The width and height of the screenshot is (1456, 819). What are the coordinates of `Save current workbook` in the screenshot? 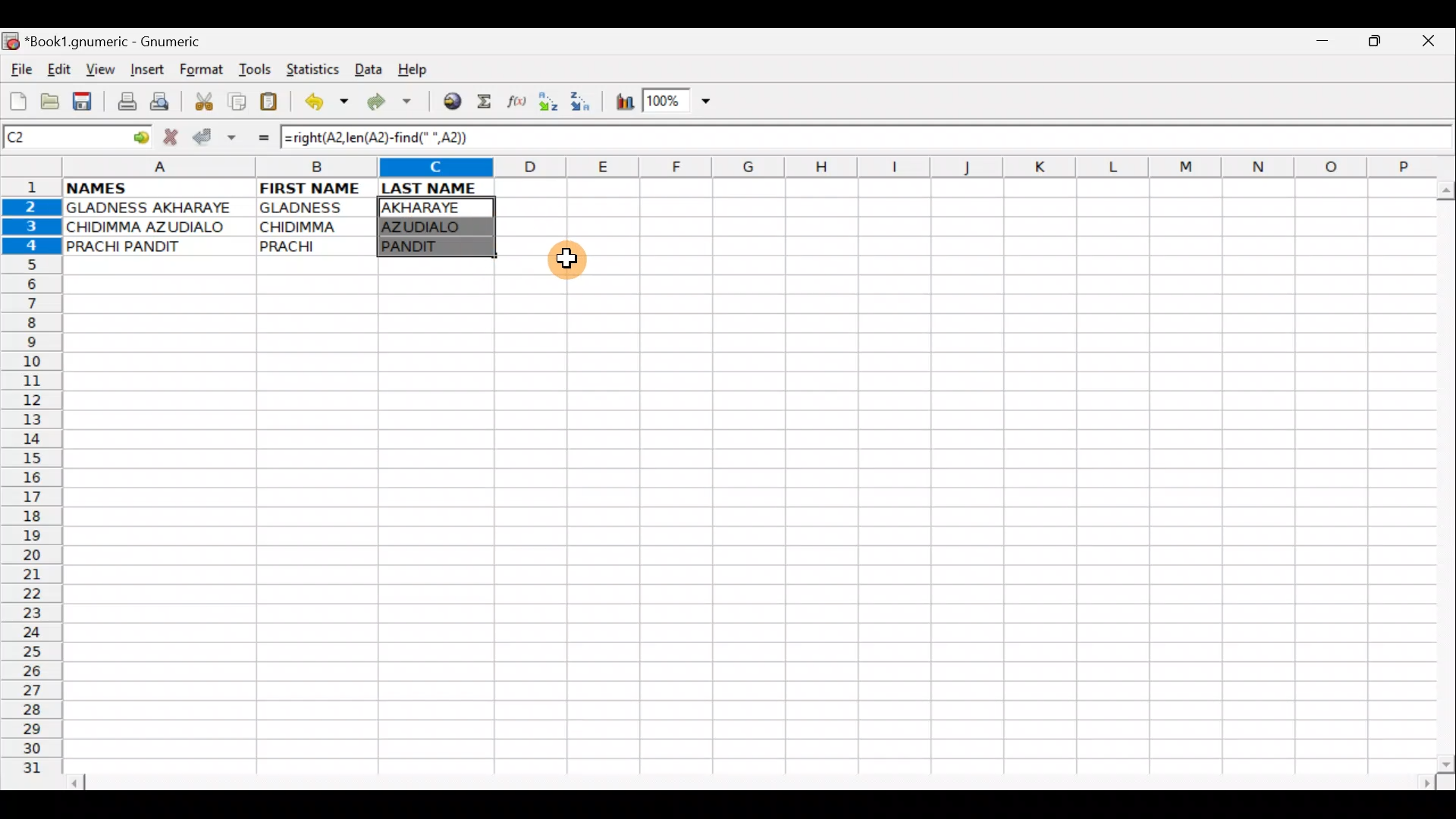 It's located at (86, 102).